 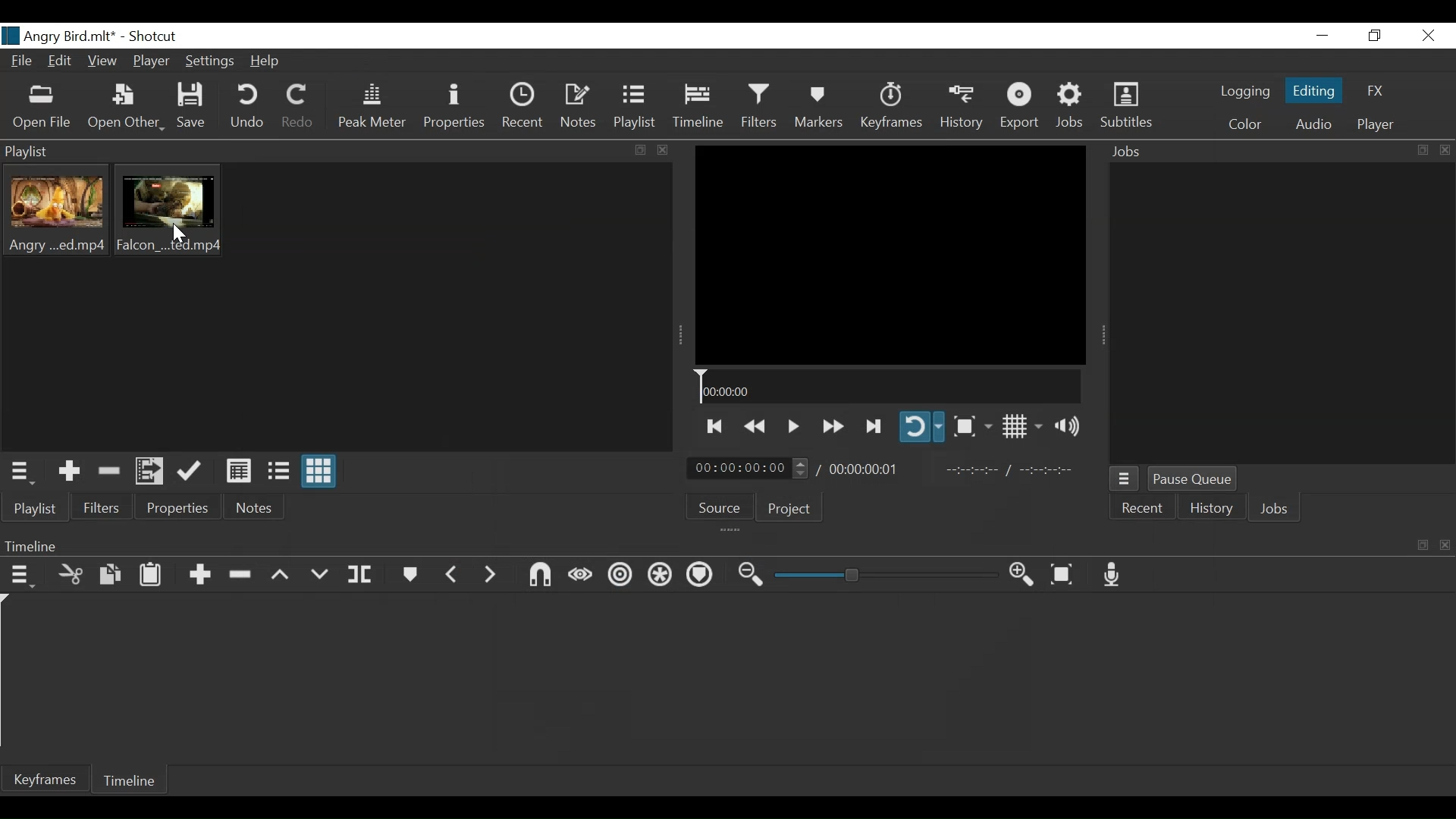 What do you see at coordinates (1316, 89) in the screenshot?
I see `Editing` at bounding box center [1316, 89].